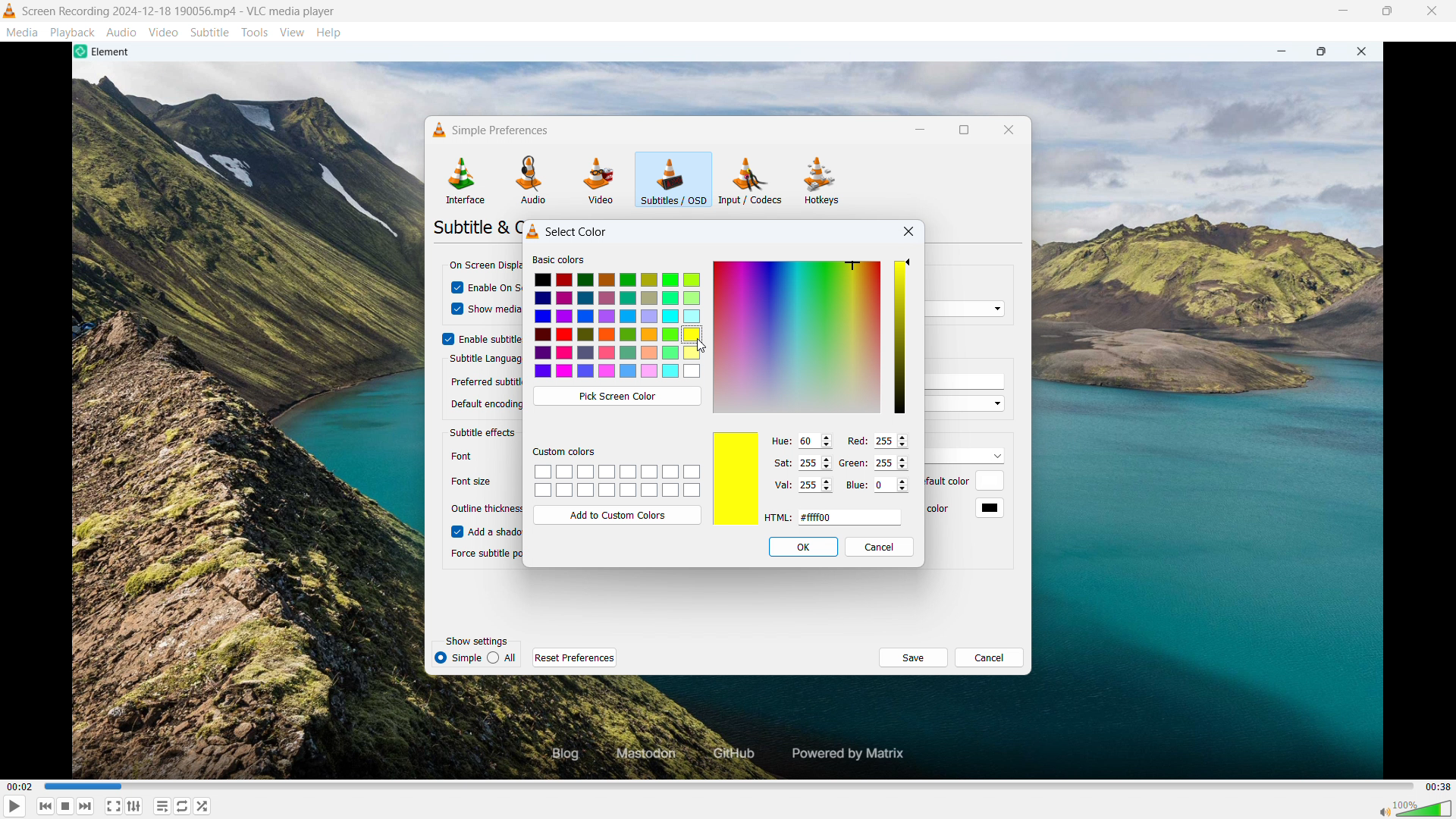 This screenshot has width=1456, height=819. I want to click on Help , so click(329, 32).